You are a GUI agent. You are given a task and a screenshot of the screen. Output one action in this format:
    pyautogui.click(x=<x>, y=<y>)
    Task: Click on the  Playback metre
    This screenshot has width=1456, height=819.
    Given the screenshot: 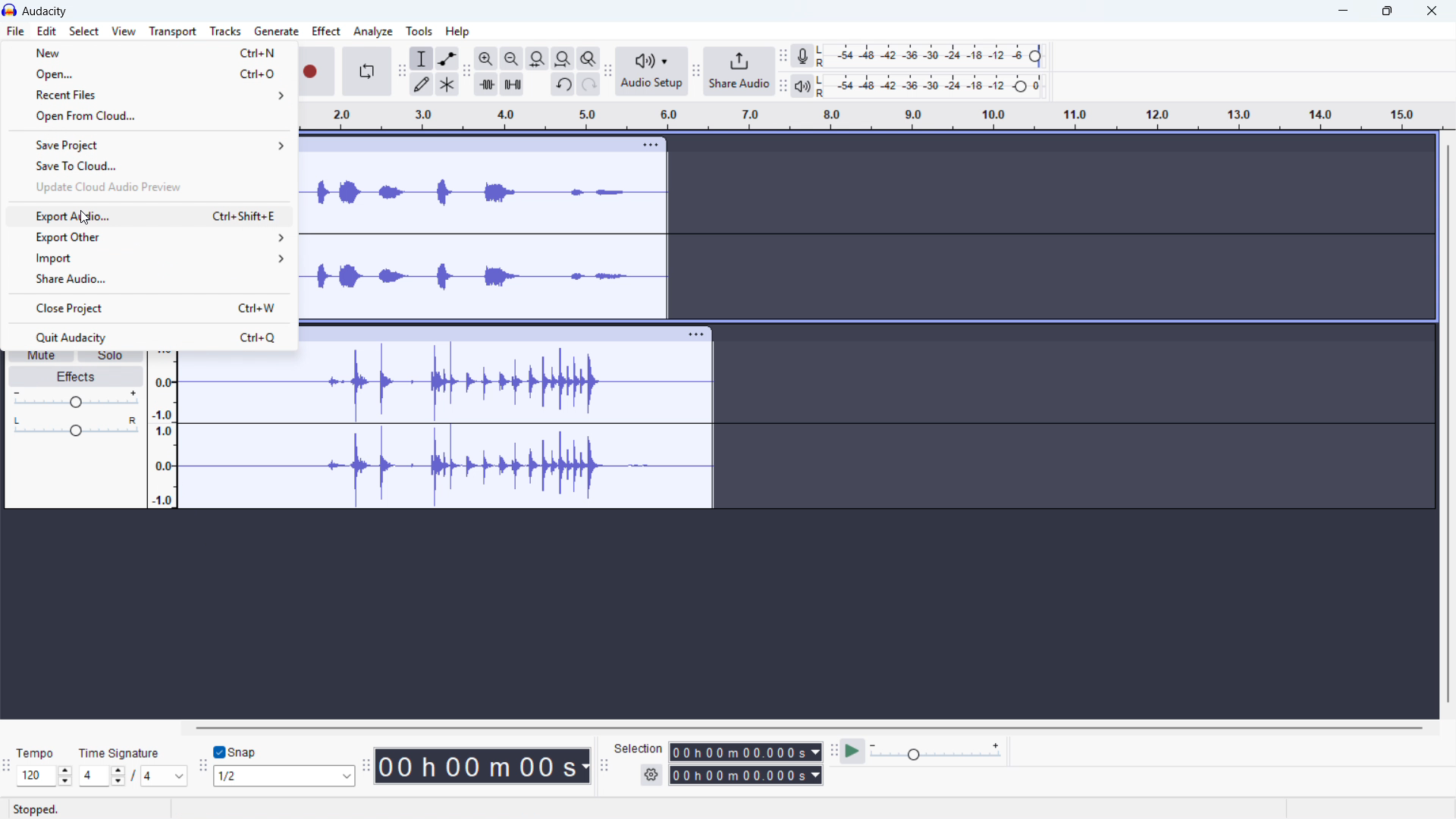 What is the action you would take?
    pyautogui.click(x=803, y=86)
    